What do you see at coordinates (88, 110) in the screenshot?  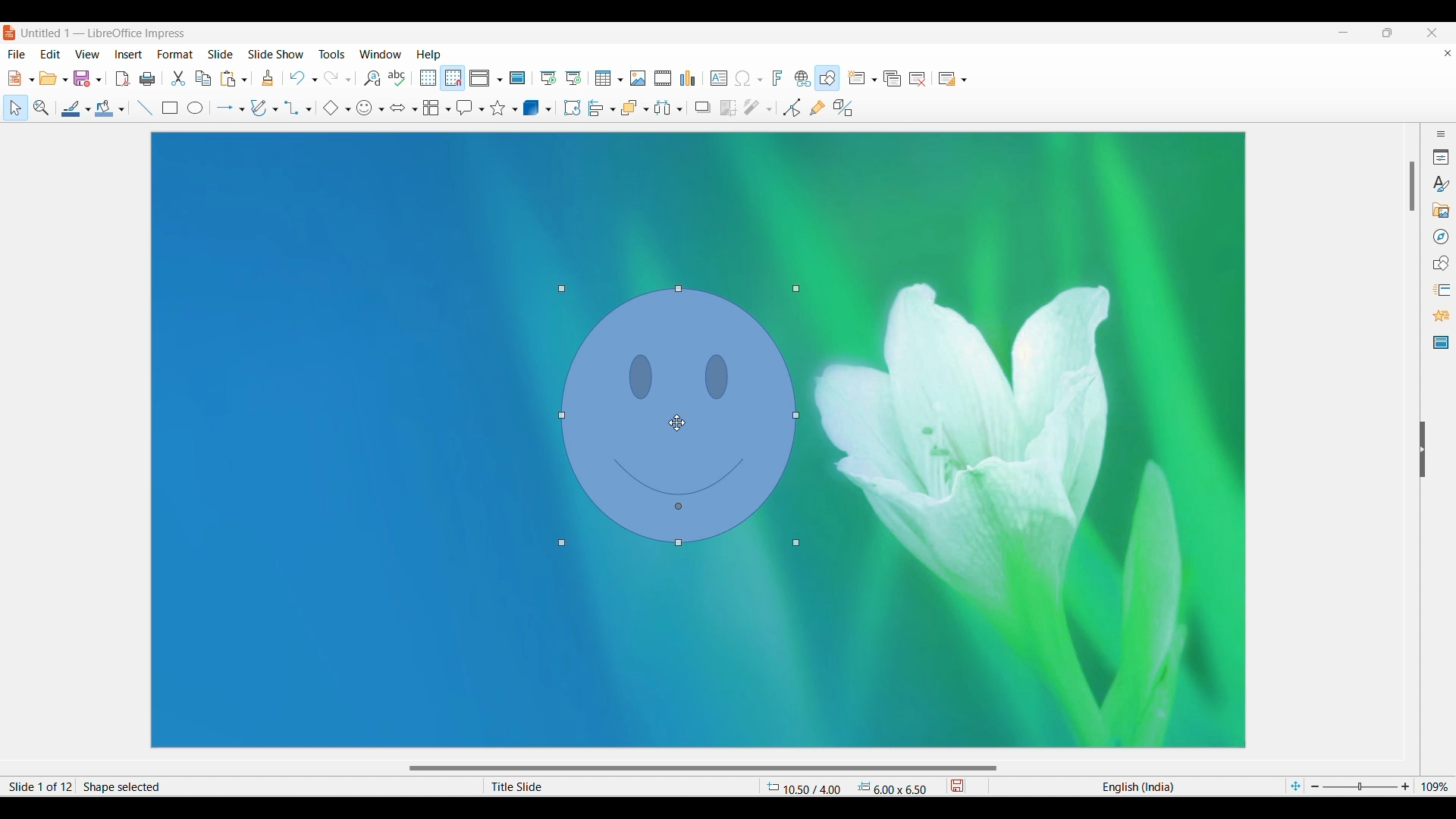 I see `Line options` at bounding box center [88, 110].